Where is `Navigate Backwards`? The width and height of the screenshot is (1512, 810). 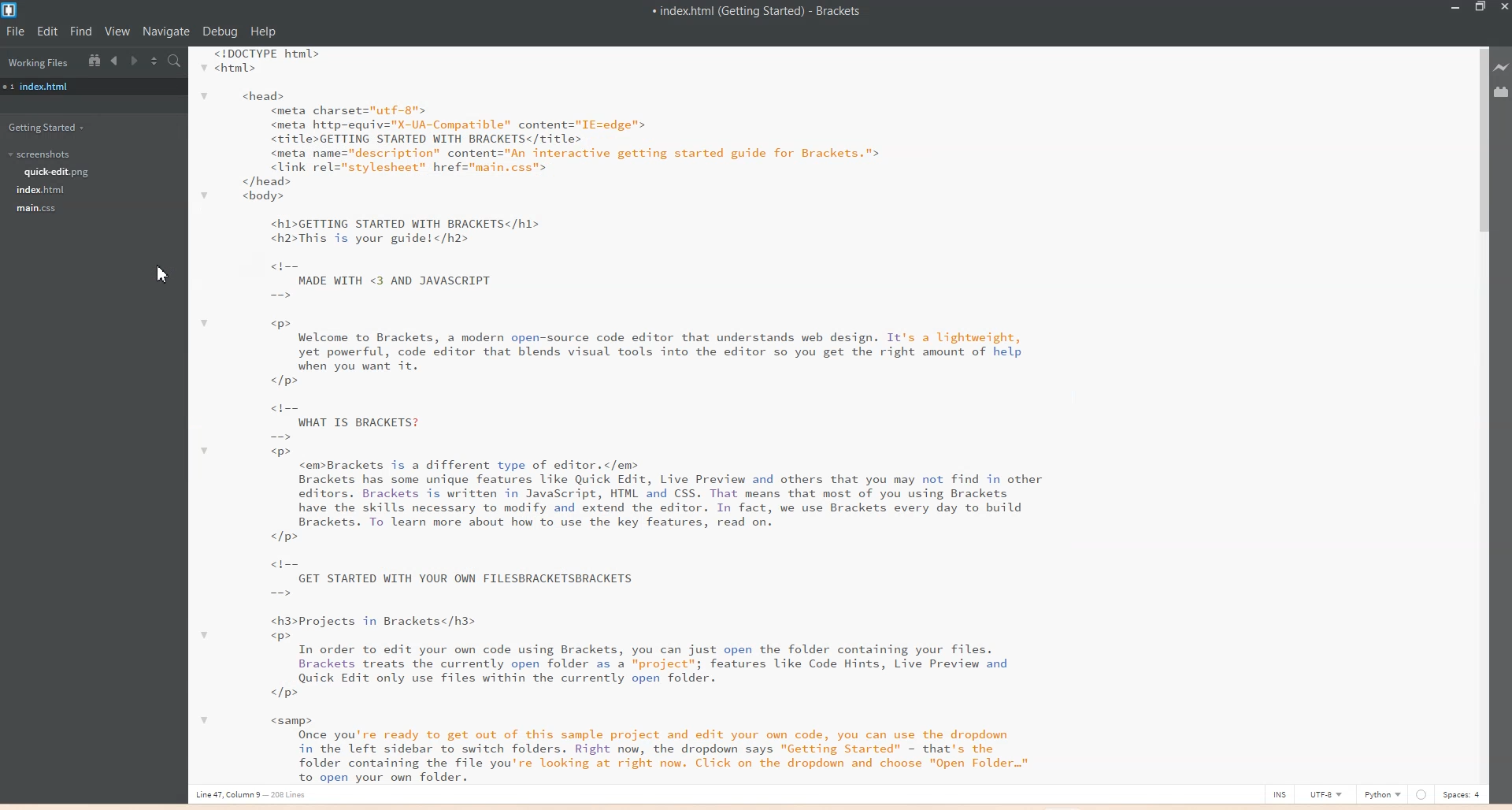 Navigate Backwards is located at coordinates (117, 61).